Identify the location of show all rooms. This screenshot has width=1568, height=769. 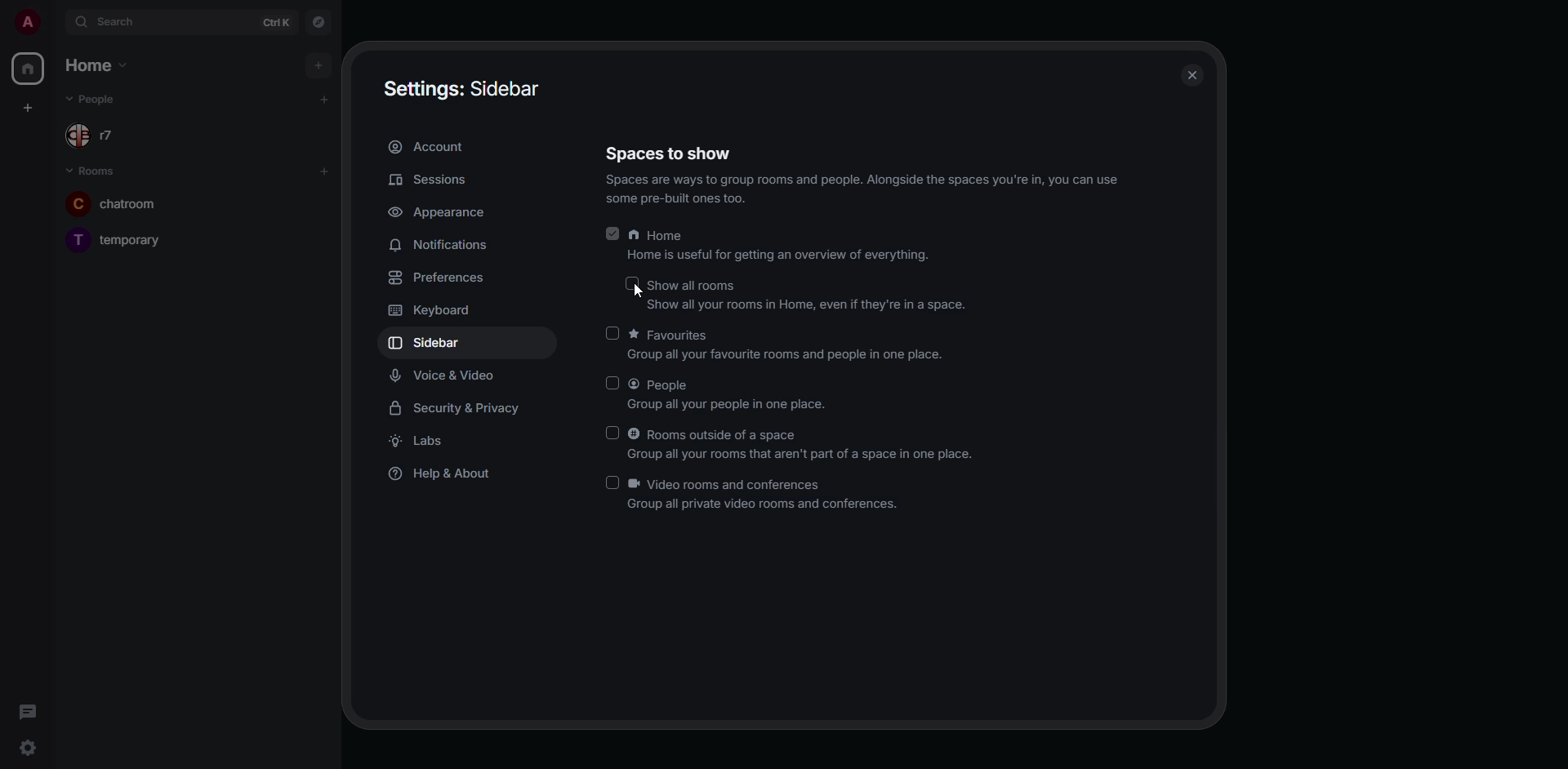
(810, 296).